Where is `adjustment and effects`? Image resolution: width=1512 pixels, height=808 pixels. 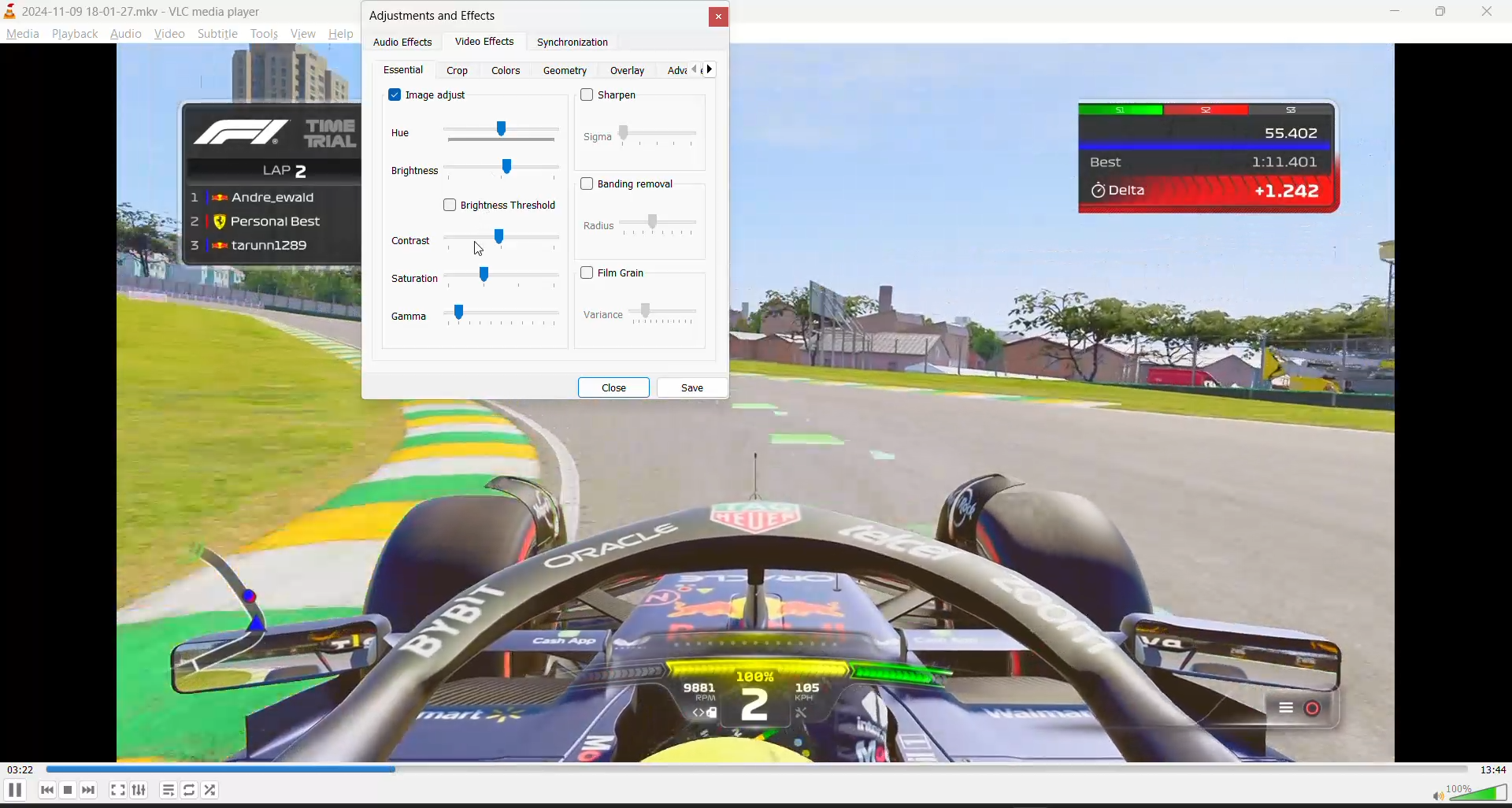
adjustment and effects is located at coordinates (438, 17).